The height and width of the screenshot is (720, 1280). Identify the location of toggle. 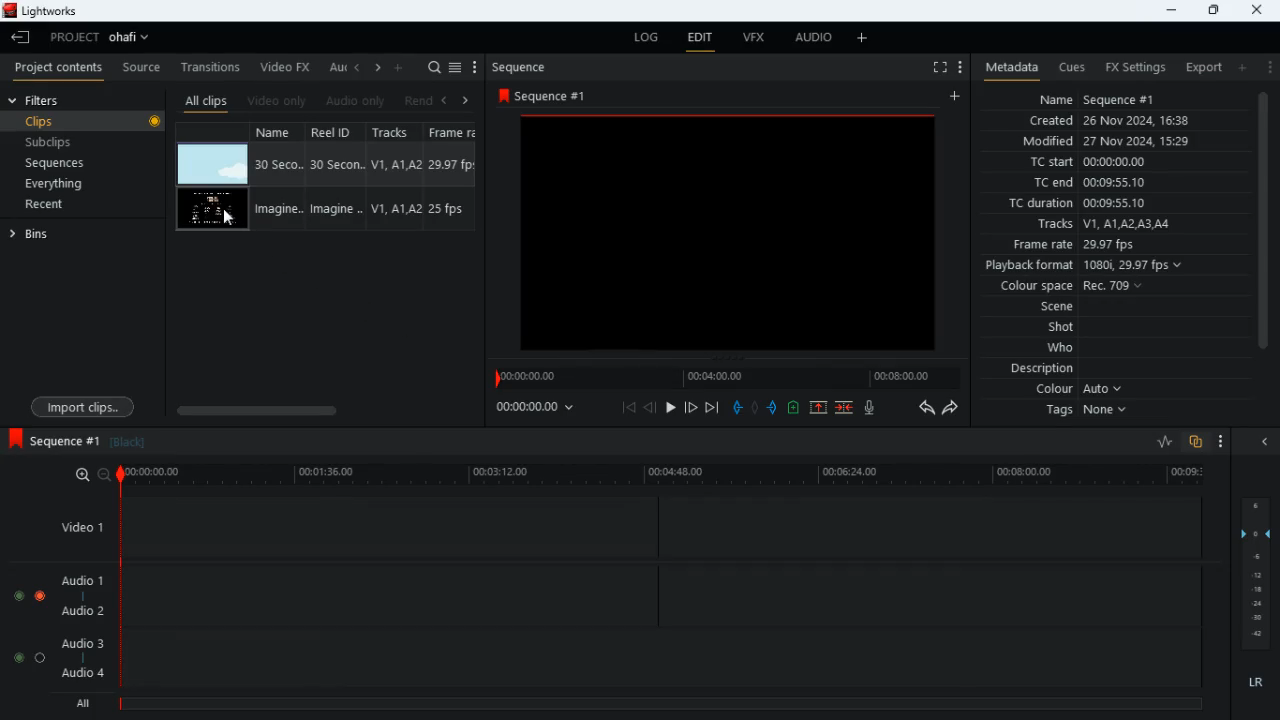
(17, 593).